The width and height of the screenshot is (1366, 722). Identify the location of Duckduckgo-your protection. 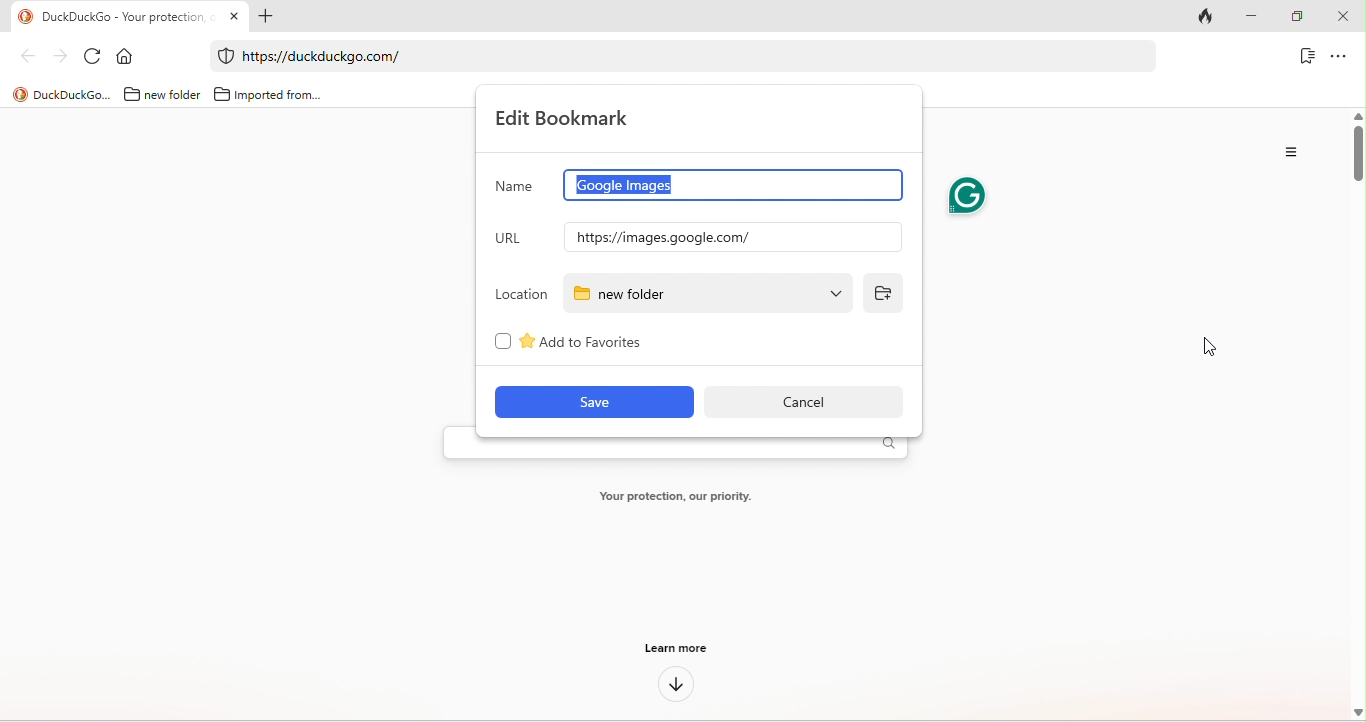
(122, 15).